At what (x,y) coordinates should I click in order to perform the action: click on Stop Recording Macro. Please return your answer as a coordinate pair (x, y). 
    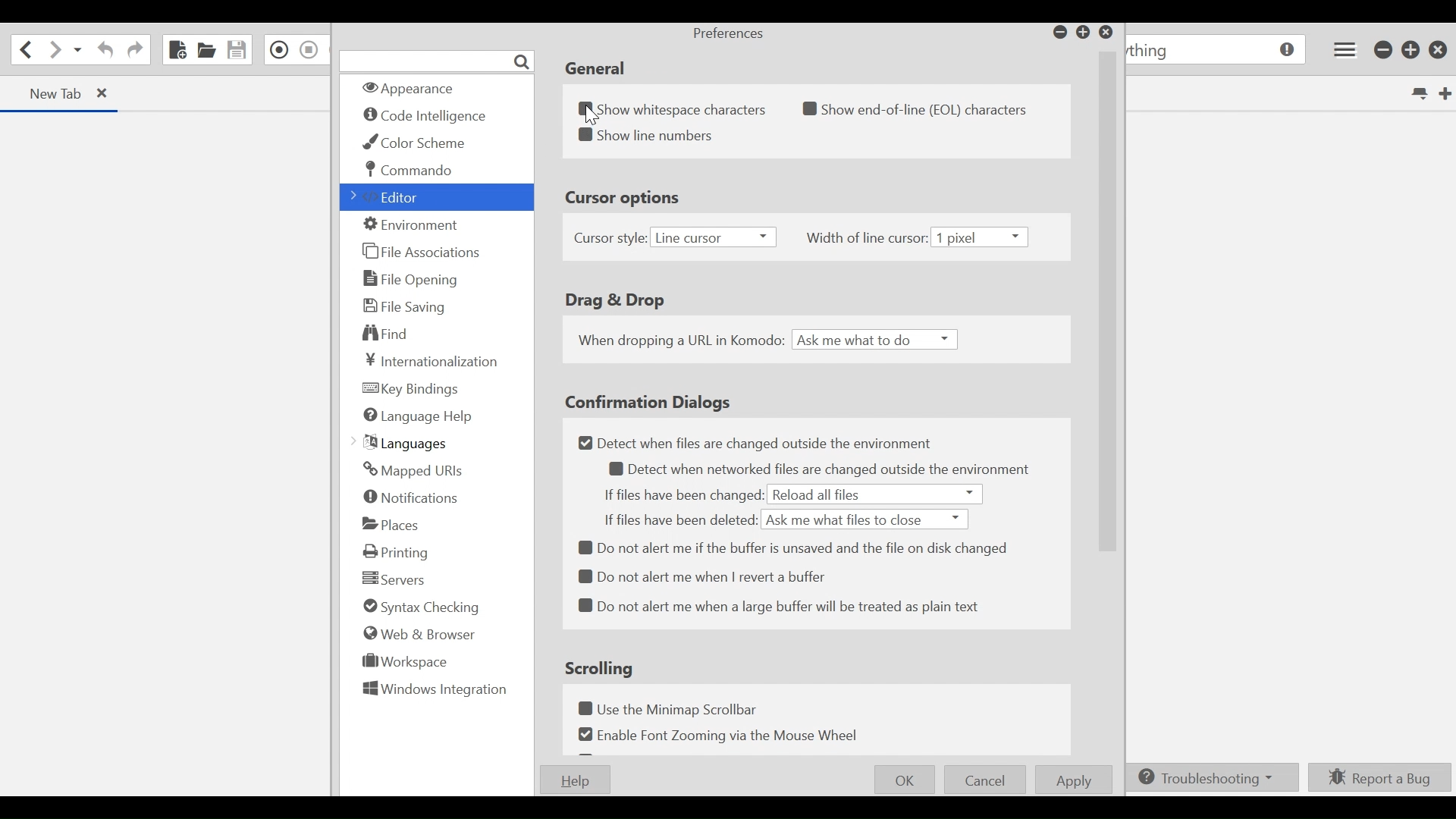
    Looking at the image, I should click on (309, 50).